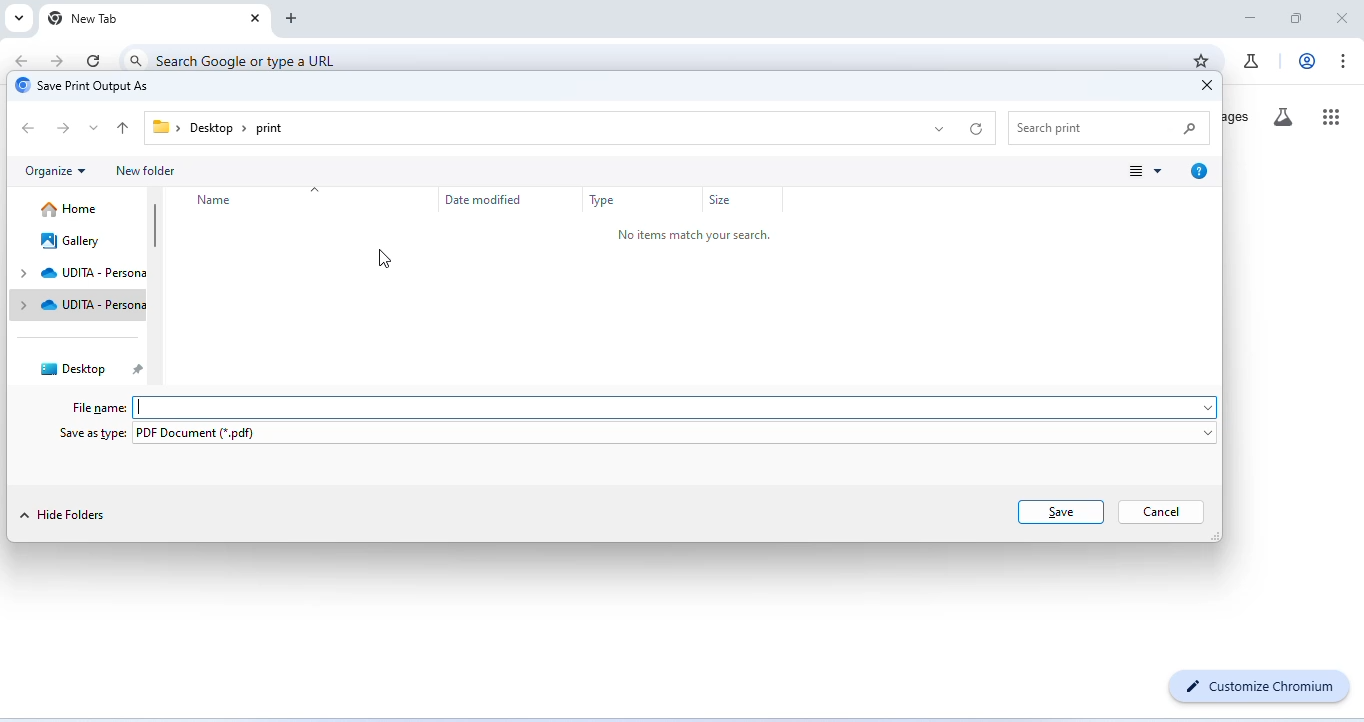  Describe the element at coordinates (678, 435) in the screenshot. I see `pdf document` at that location.